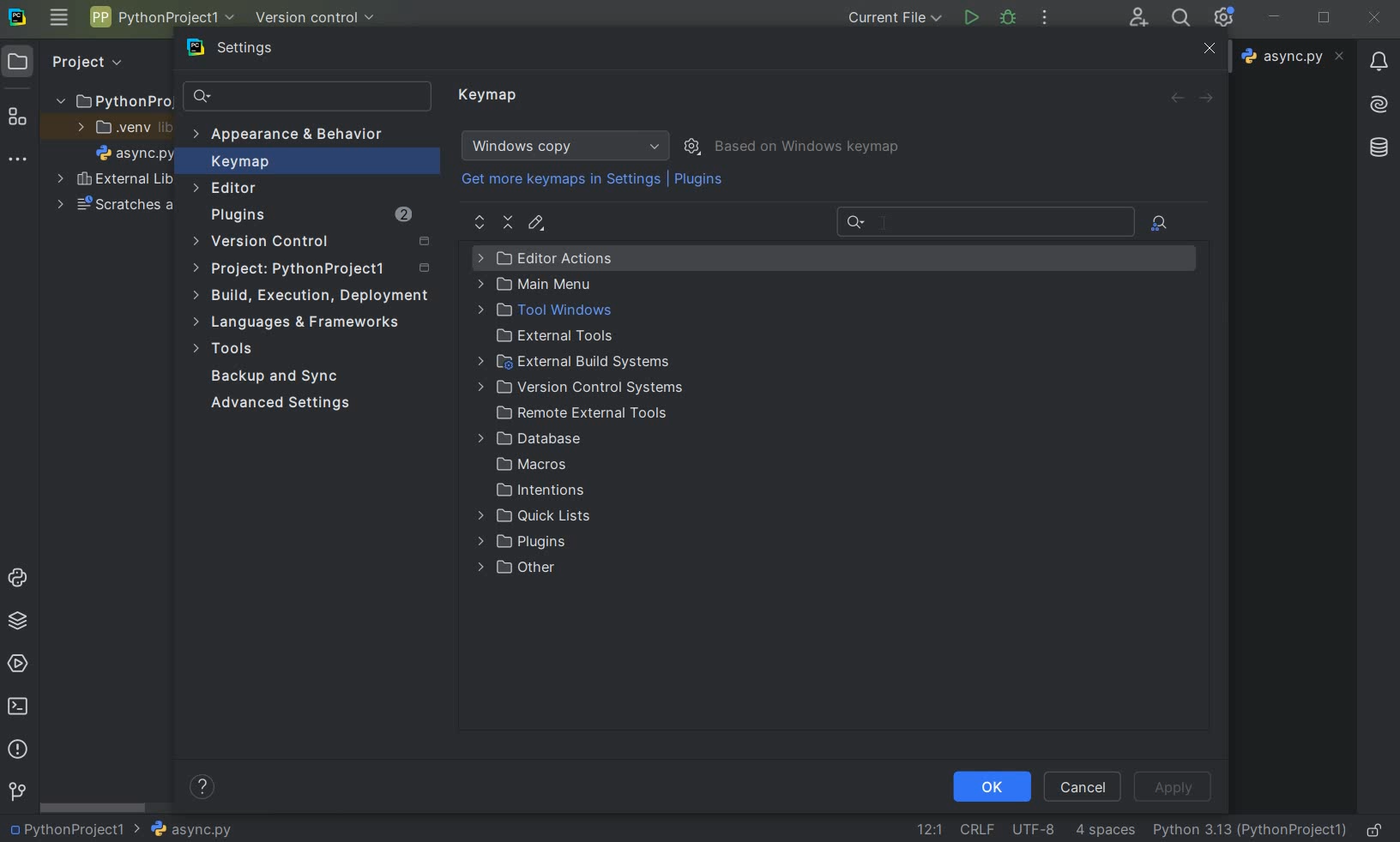  Describe the element at coordinates (808, 147) in the screenshot. I see `based on windows keymap` at that location.